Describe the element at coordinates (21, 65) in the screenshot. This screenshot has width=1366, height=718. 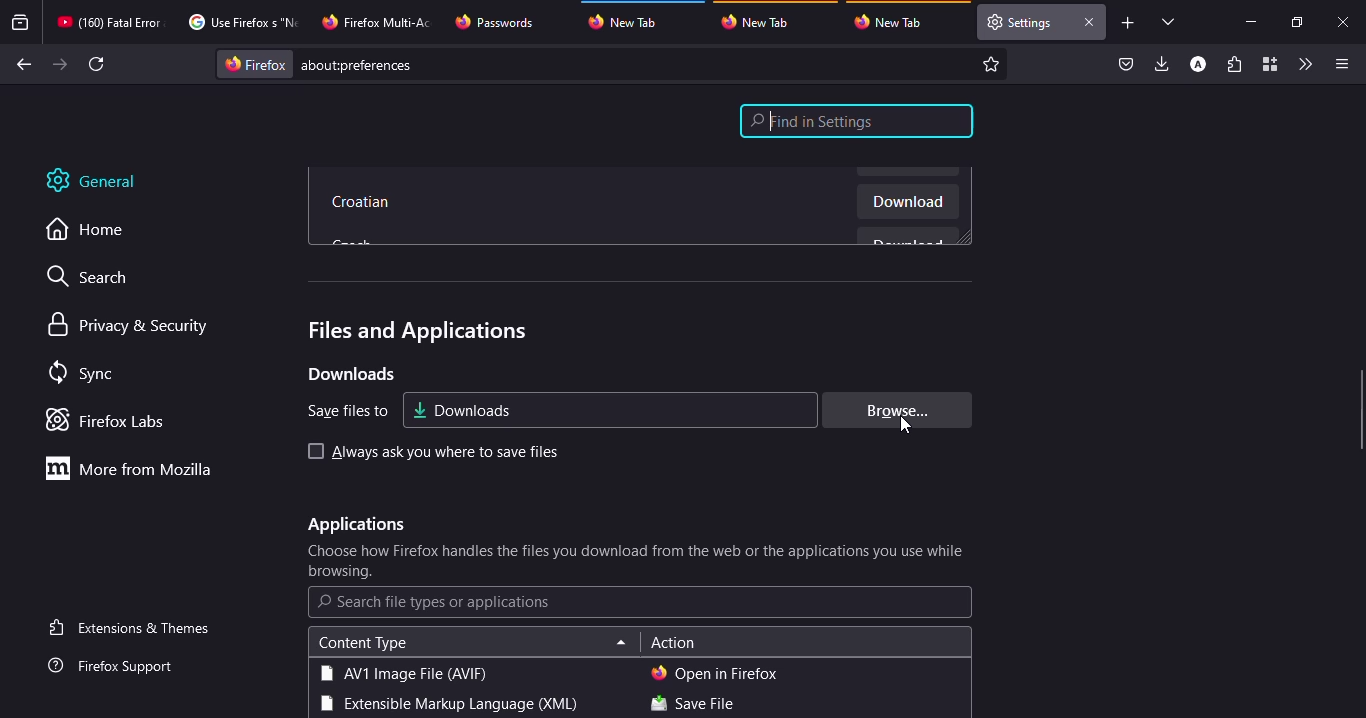
I see `back` at that location.